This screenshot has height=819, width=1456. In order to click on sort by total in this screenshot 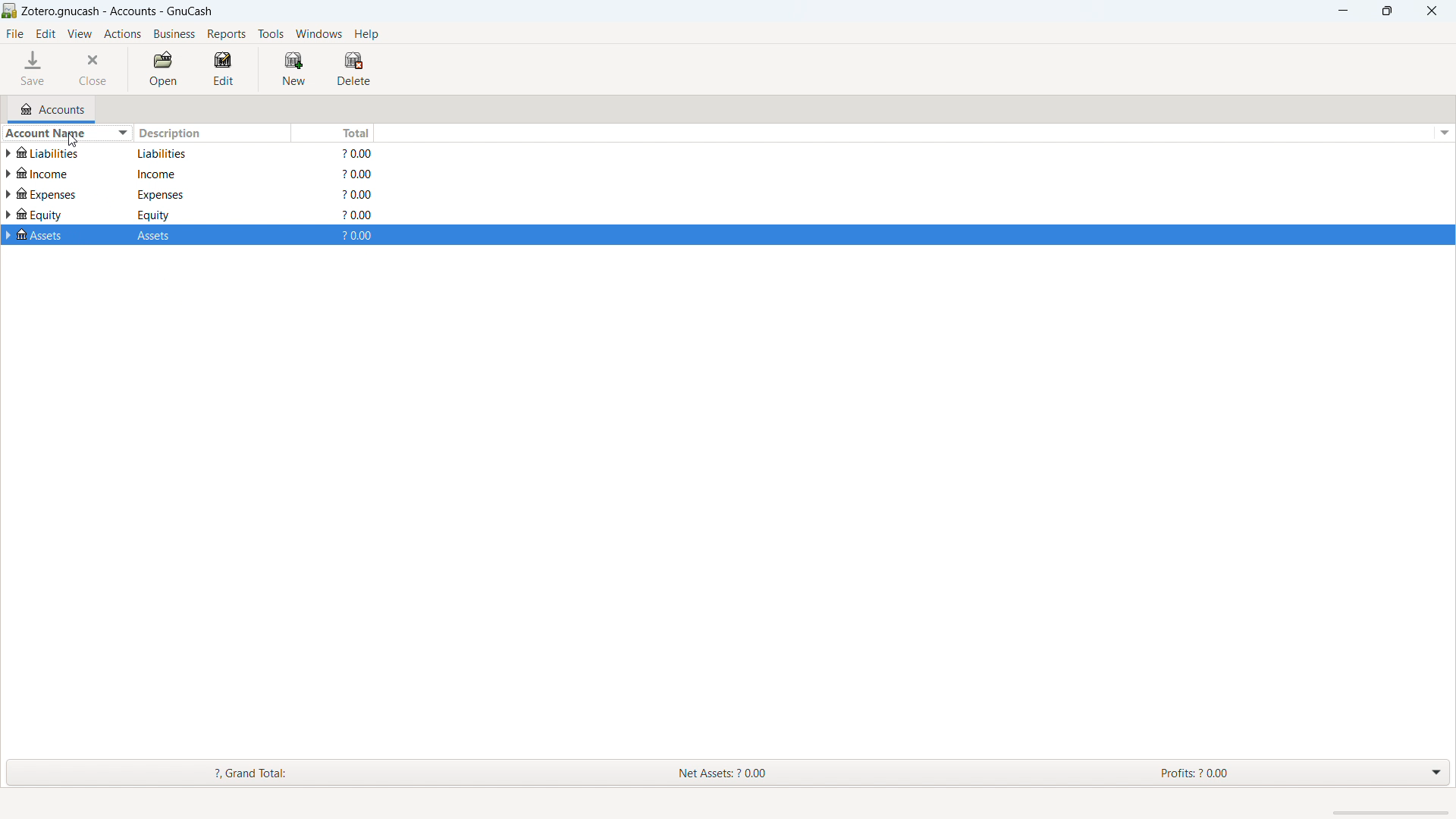, I will do `click(331, 133)`.